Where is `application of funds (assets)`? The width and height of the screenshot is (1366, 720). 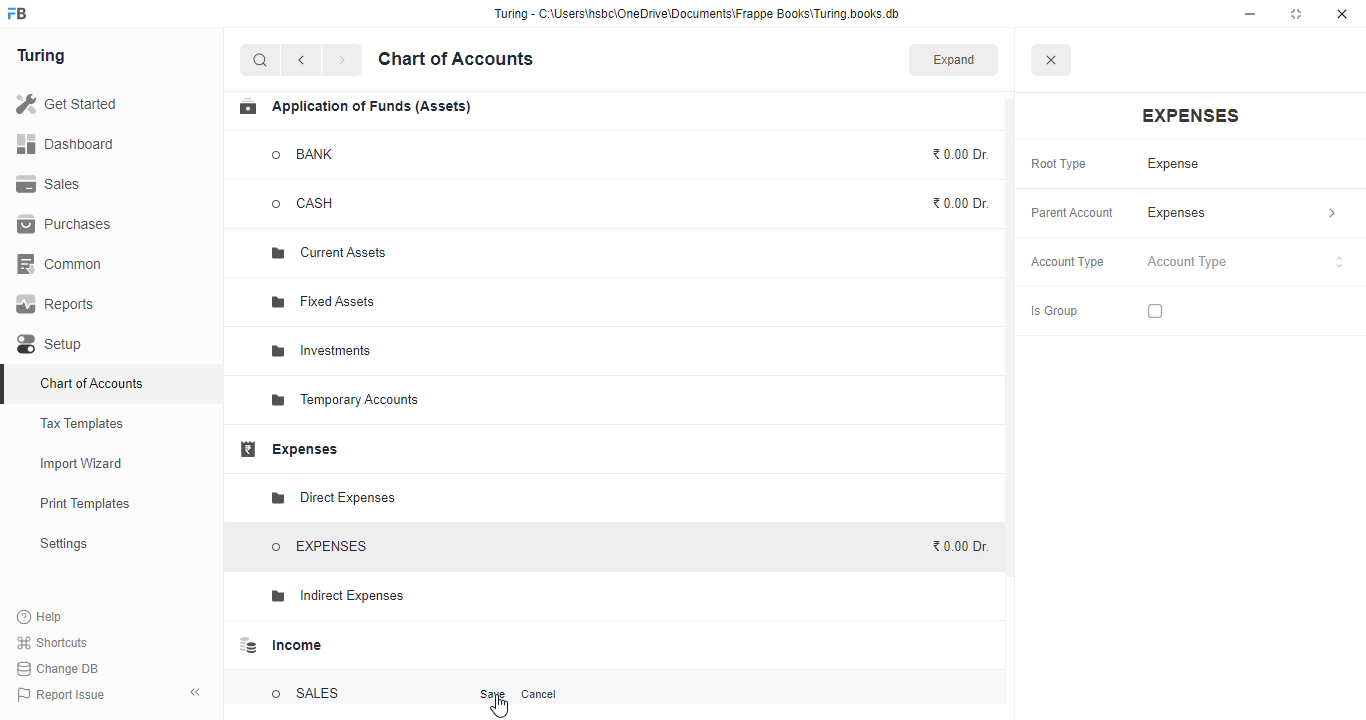 application of funds (assets) is located at coordinates (354, 107).